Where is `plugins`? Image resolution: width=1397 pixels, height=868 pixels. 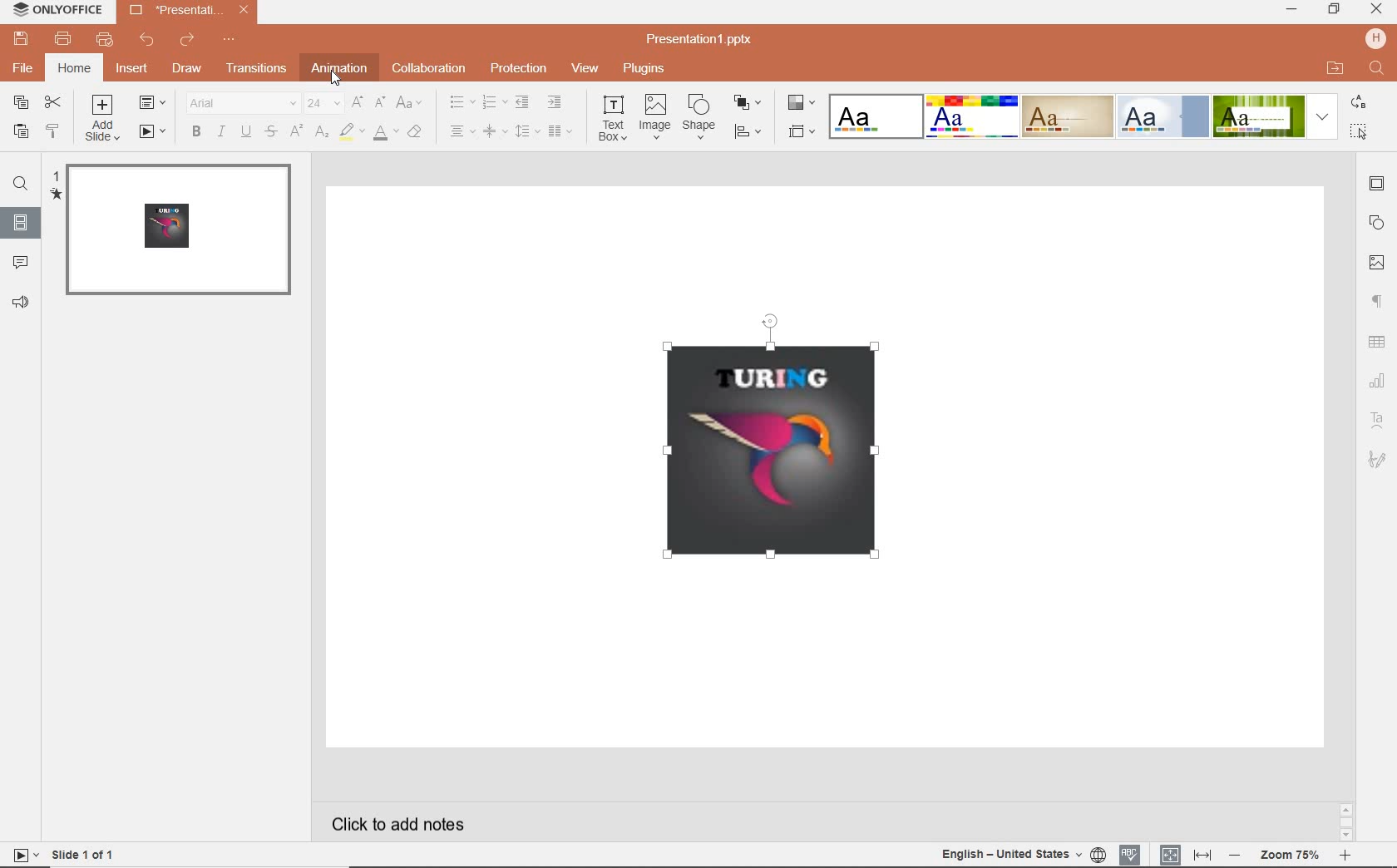 plugins is located at coordinates (645, 70).